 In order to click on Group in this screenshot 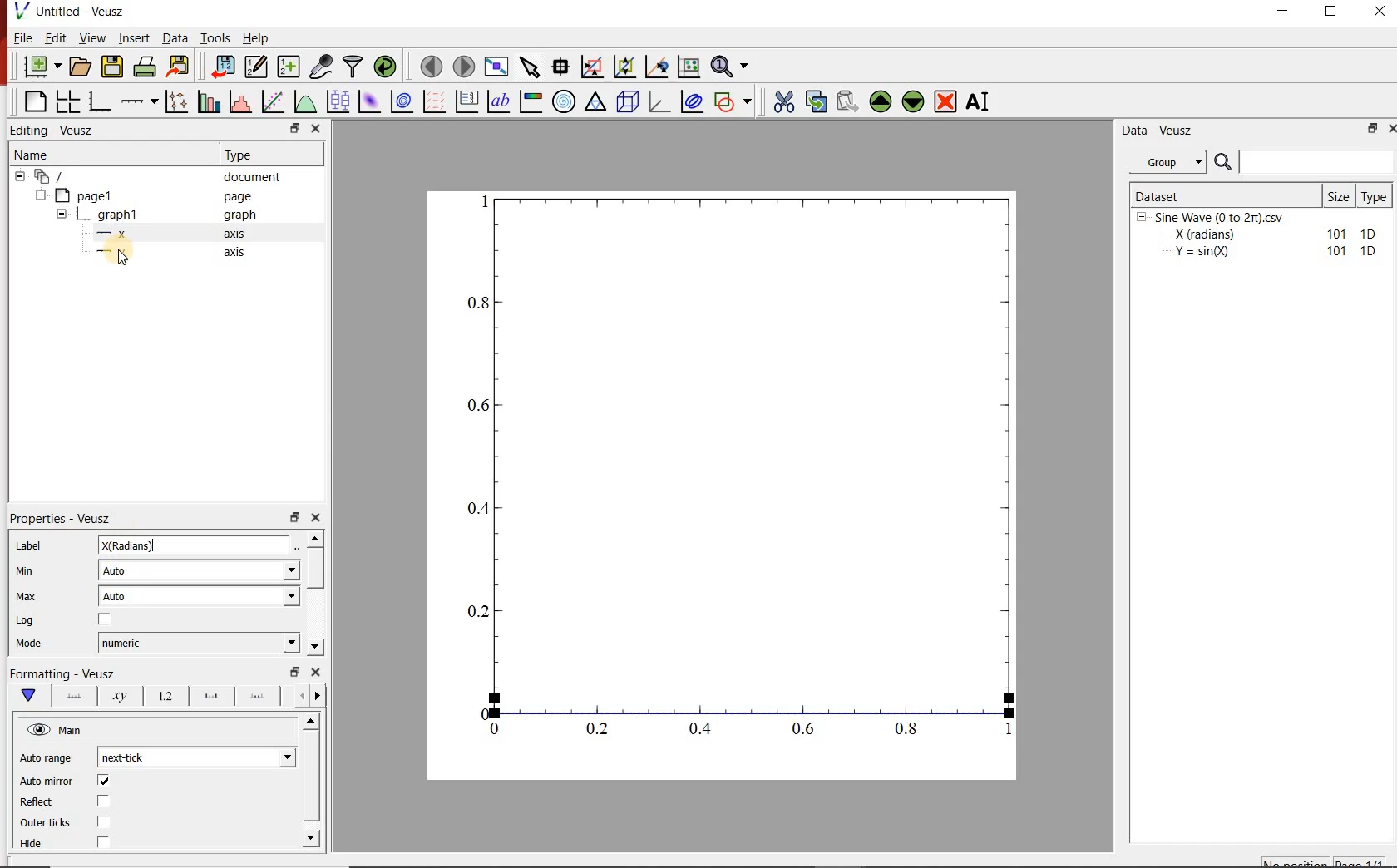, I will do `click(1172, 162)`.